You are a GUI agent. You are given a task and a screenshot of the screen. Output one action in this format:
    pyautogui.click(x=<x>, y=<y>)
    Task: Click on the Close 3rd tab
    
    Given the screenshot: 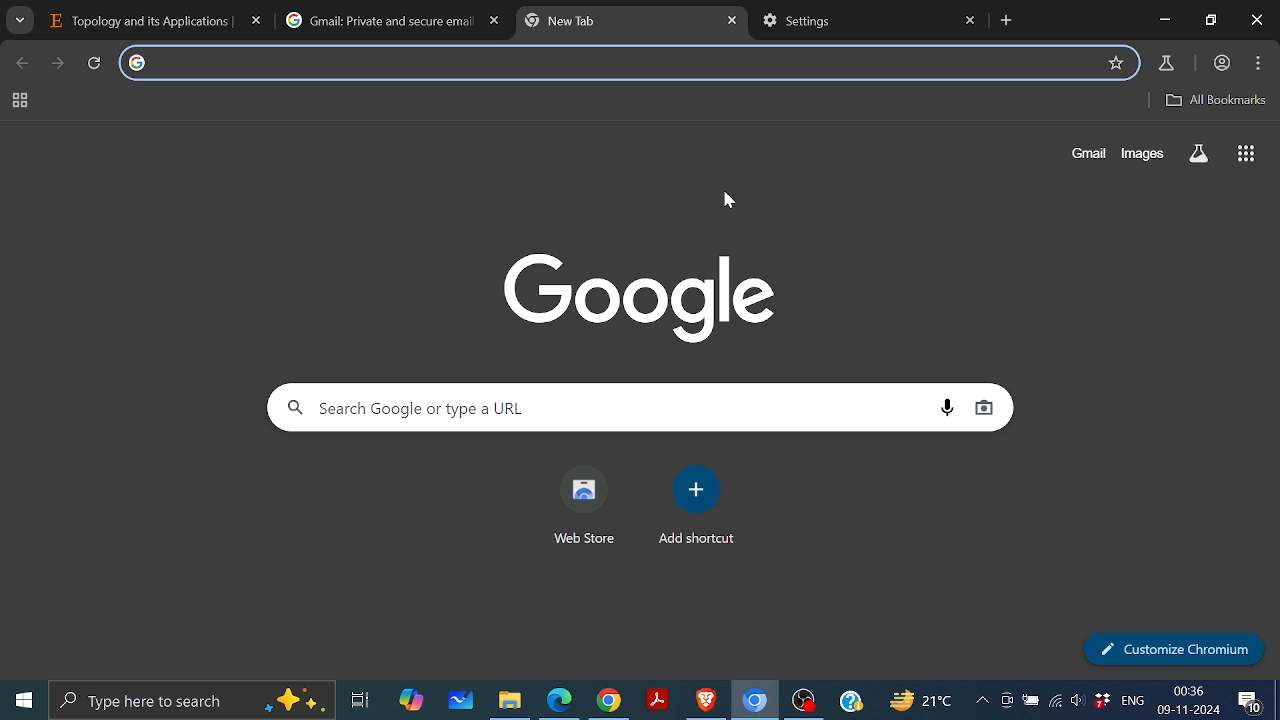 What is the action you would take?
    pyautogui.click(x=732, y=20)
    